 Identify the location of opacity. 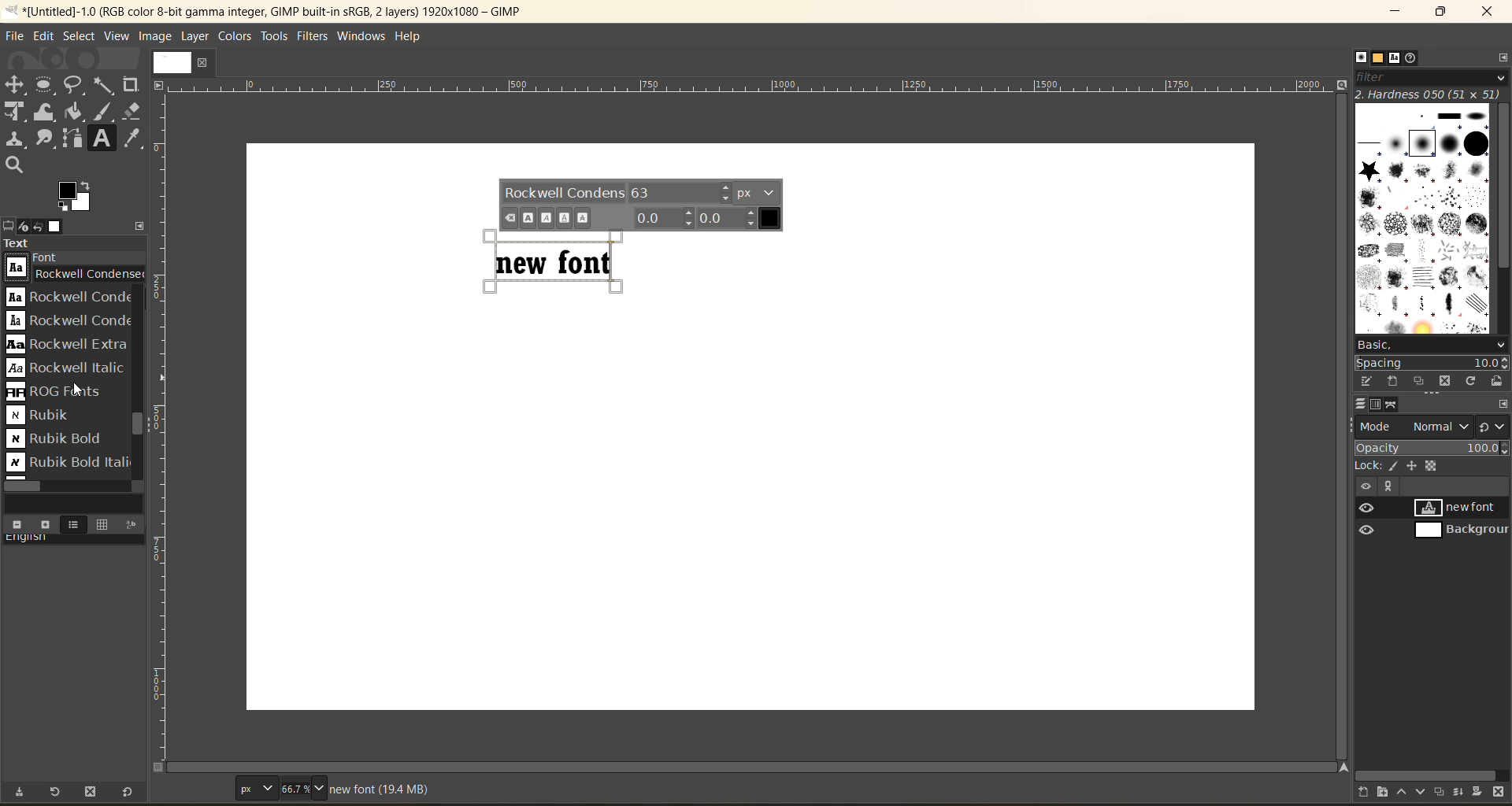
(1432, 447).